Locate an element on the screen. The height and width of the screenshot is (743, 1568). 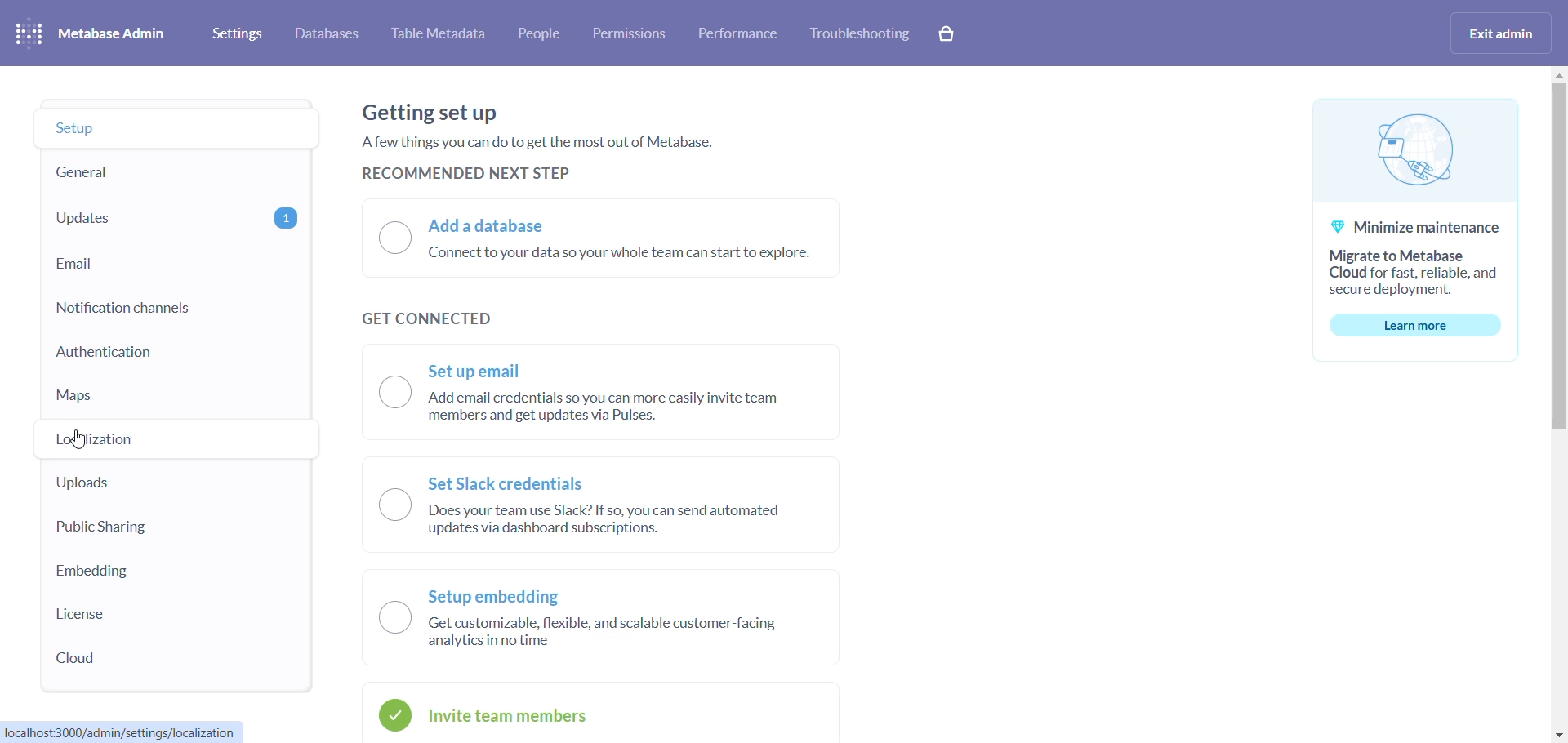
setup is located at coordinates (148, 132).